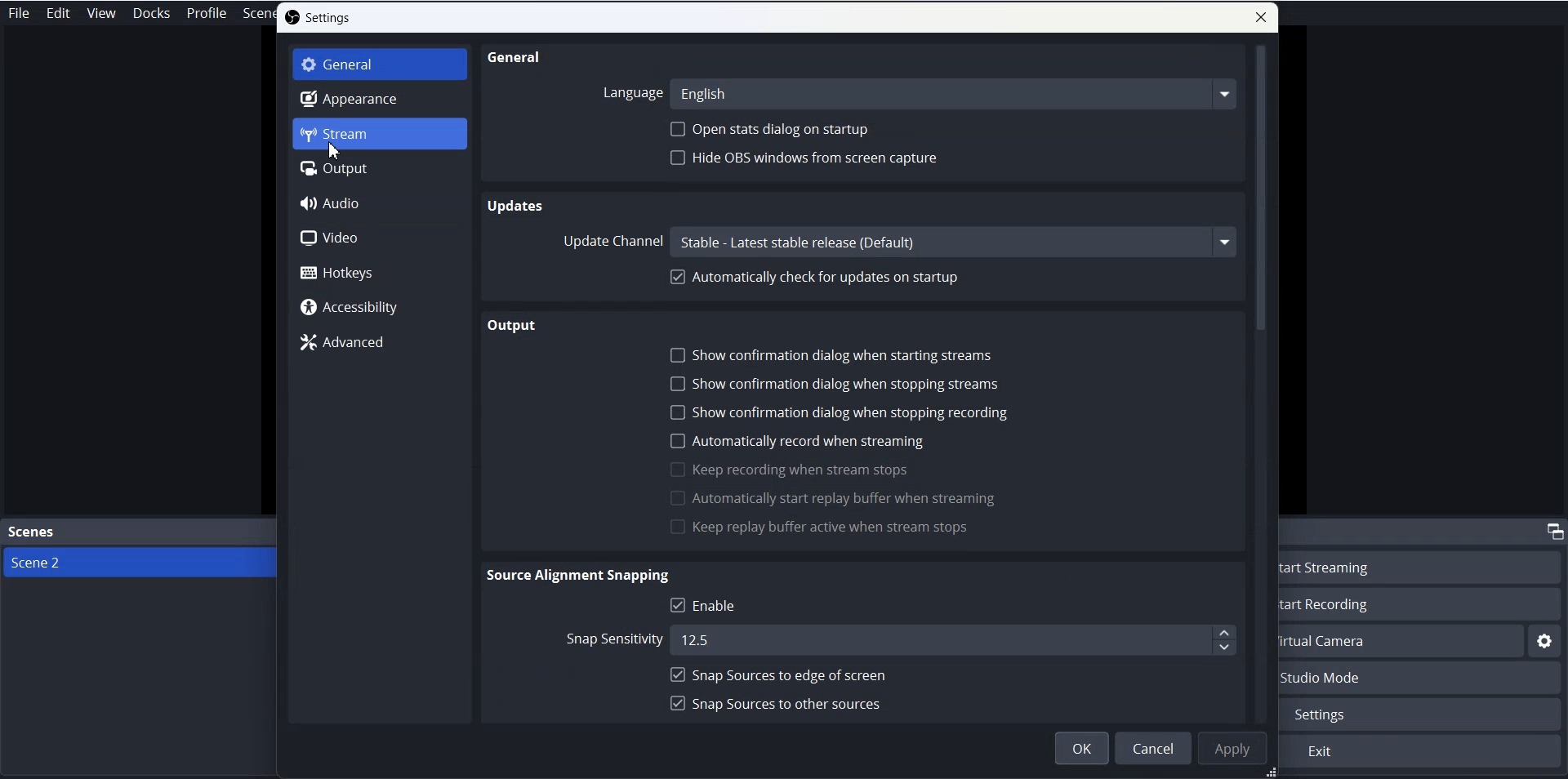  Describe the element at coordinates (919, 94) in the screenshot. I see `Language English` at that location.